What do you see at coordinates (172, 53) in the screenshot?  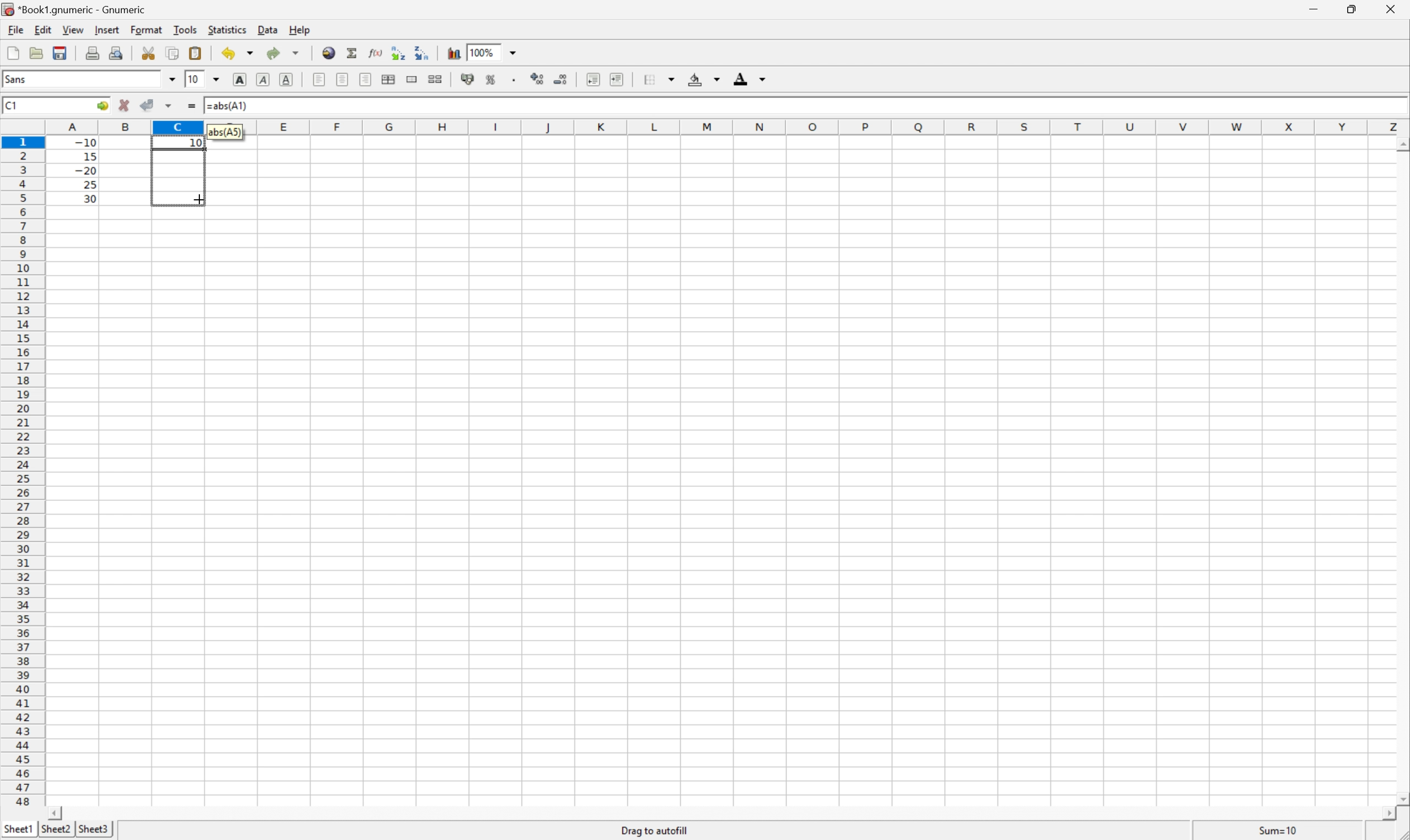 I see `Copy the selection` at bounding box center [172, 53].